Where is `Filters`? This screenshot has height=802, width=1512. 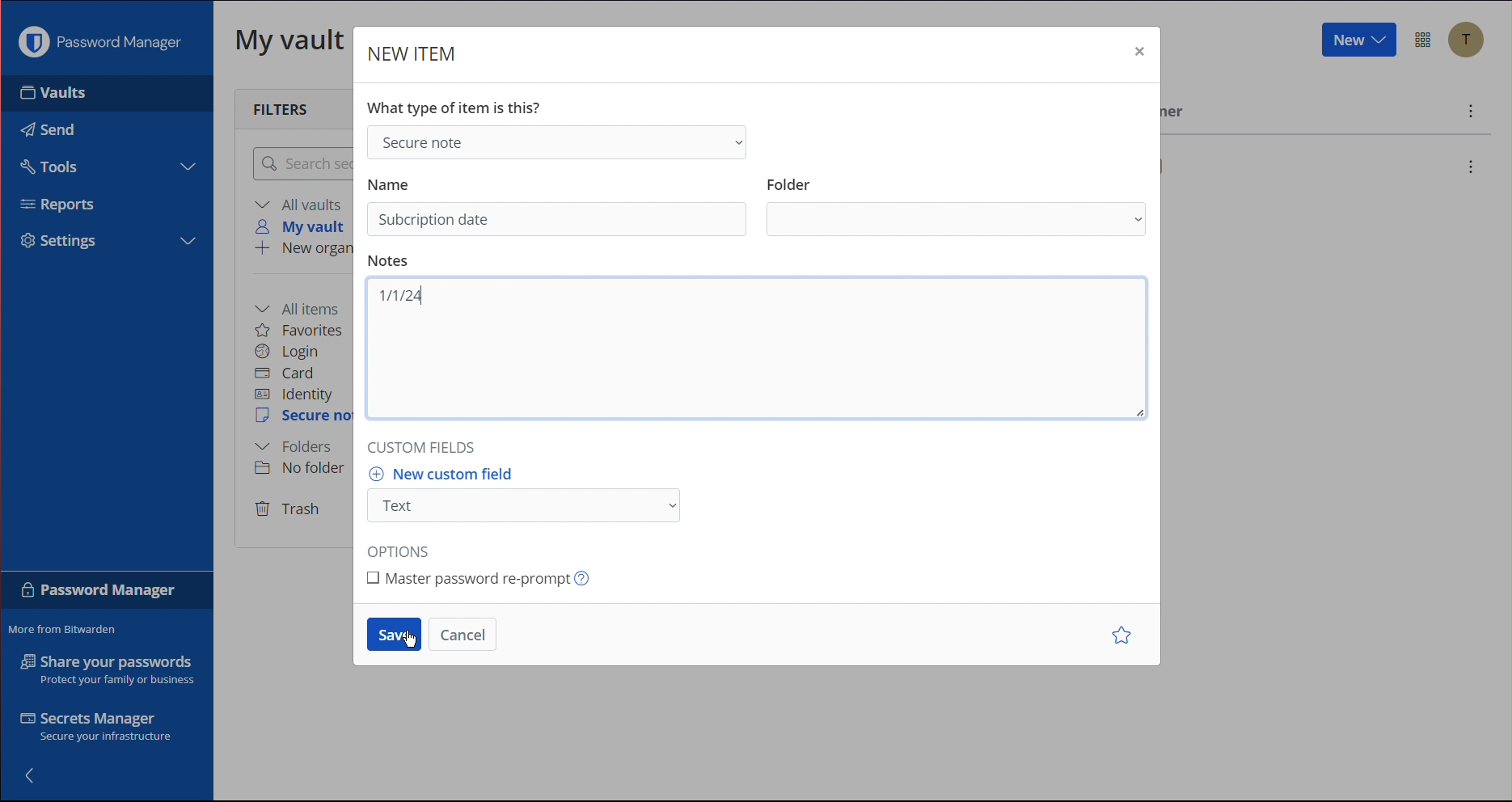 Filters is located at coordinates (285, 108).